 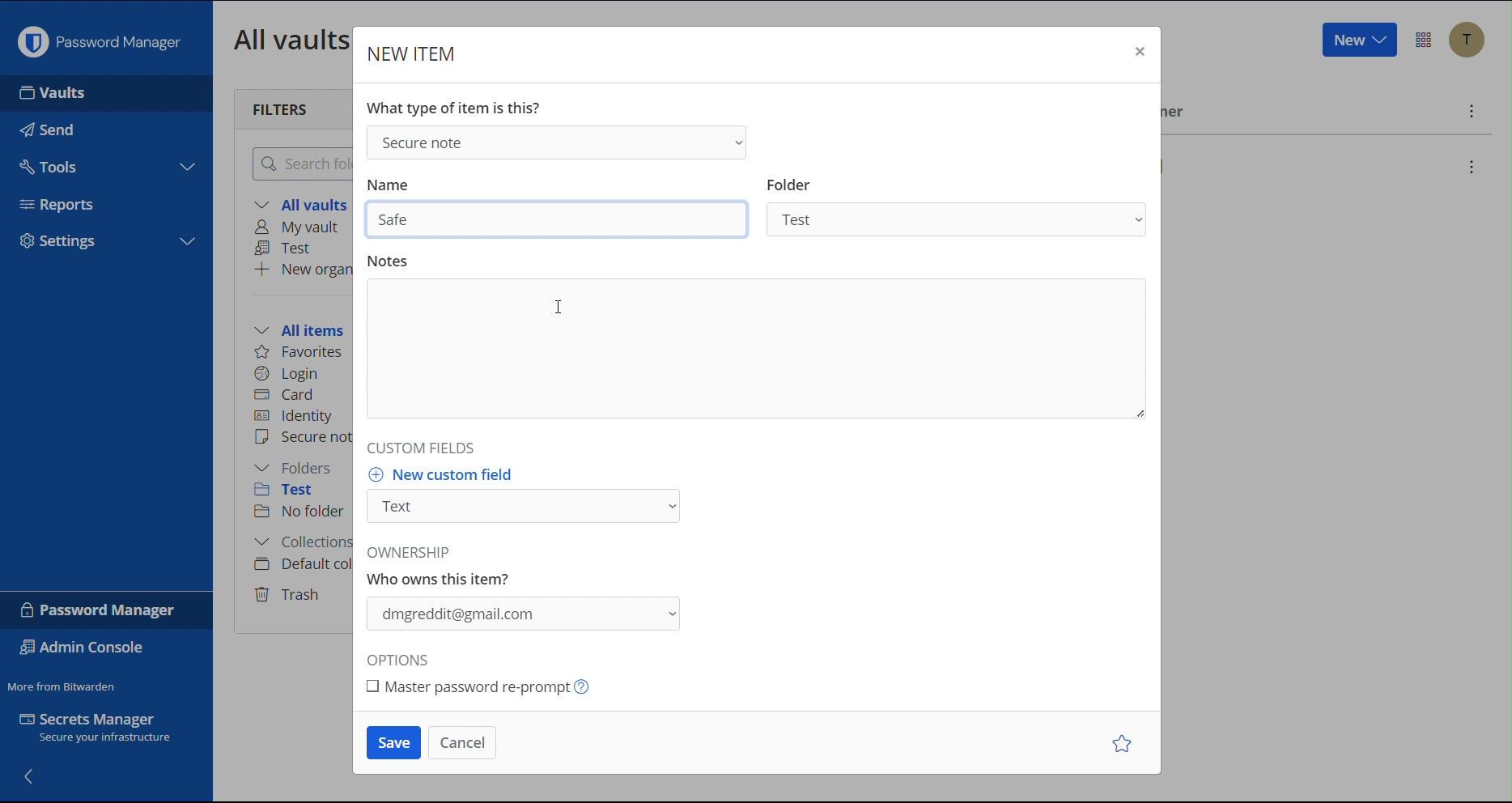 I want to click on More Options, so click(x=1424, y=40).